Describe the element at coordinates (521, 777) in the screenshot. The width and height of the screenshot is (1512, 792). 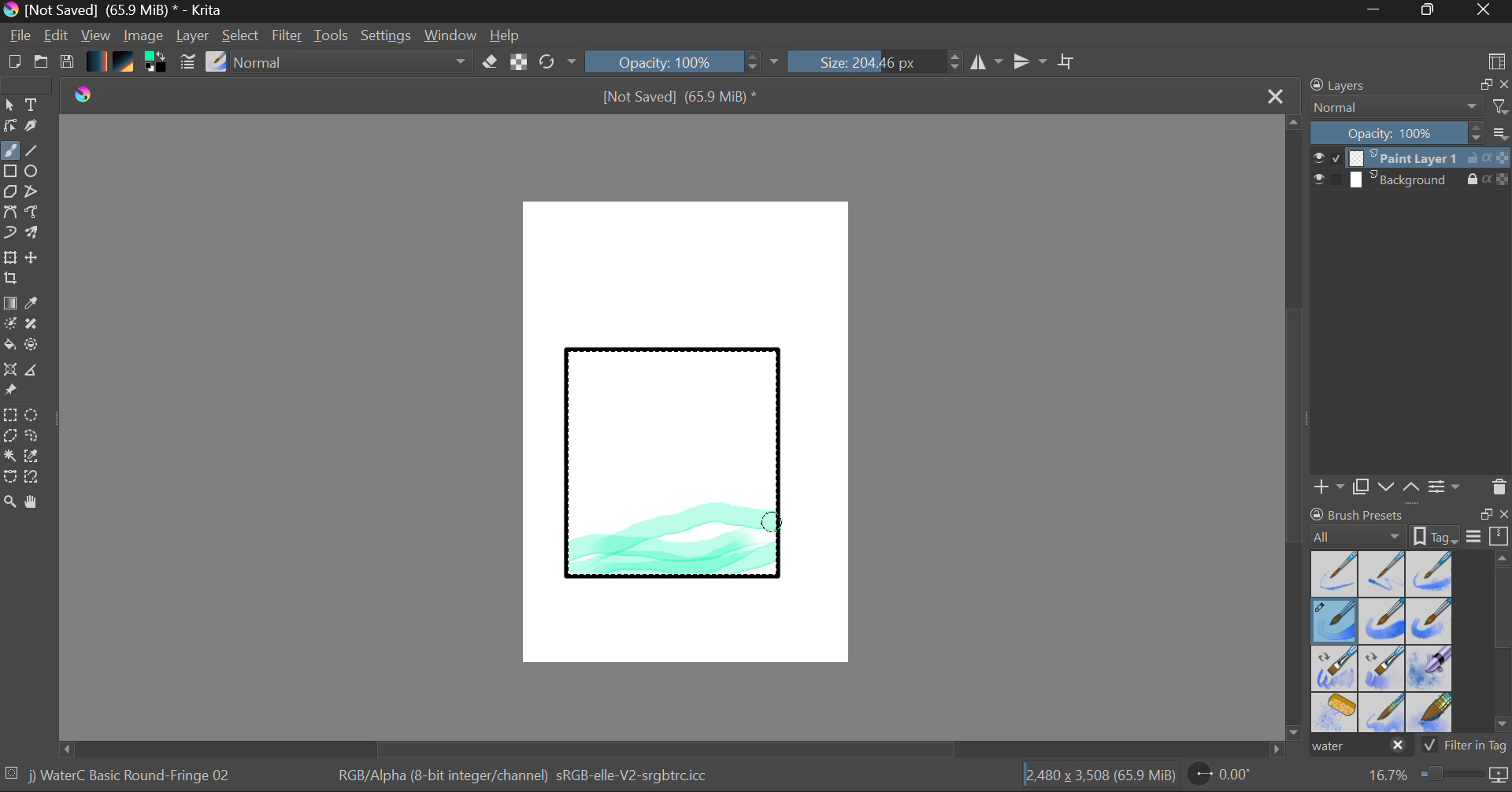
I see `Color Information` at that location.